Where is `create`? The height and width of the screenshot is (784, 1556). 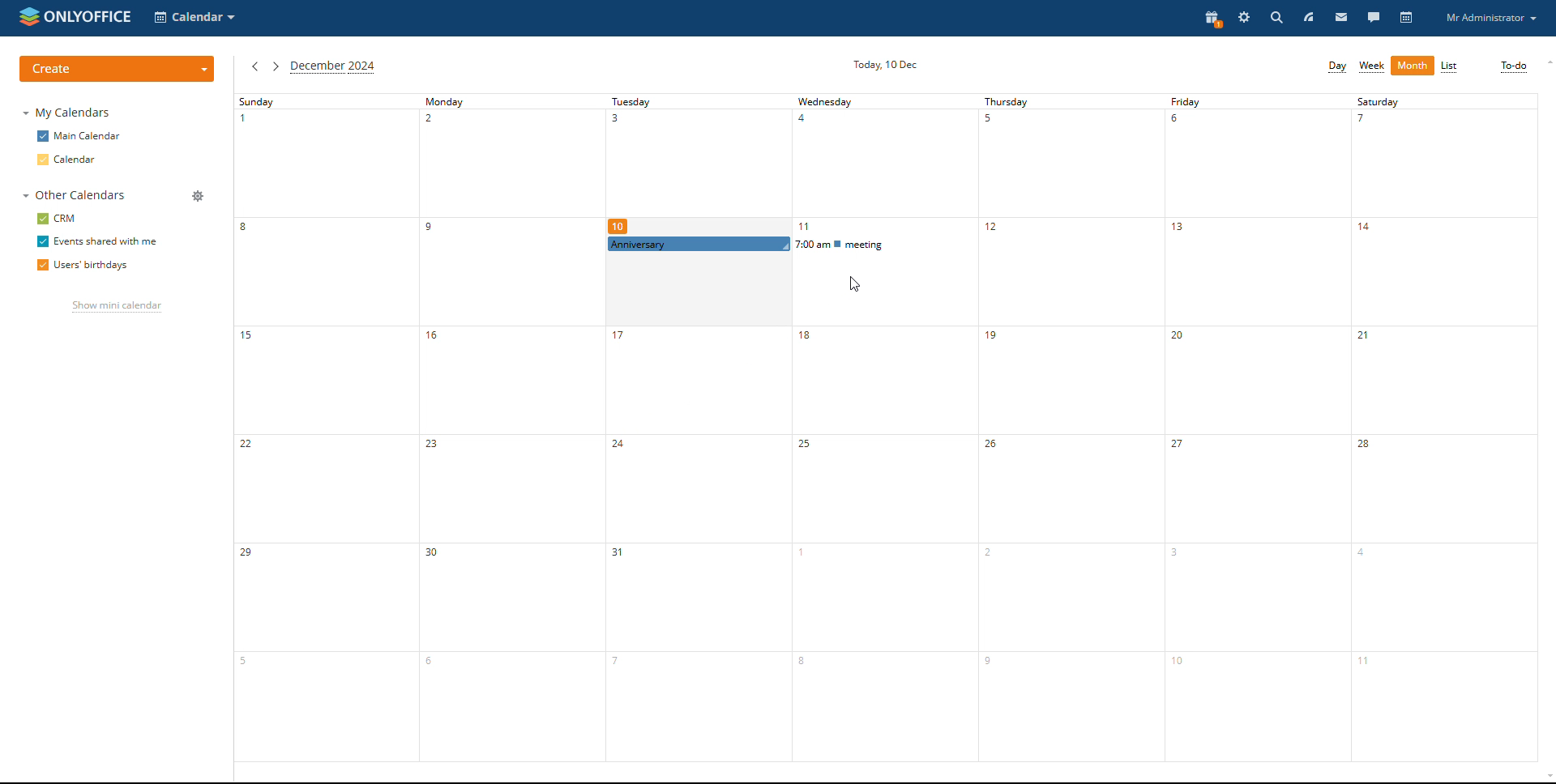 create is located at coordinates (118, 68).